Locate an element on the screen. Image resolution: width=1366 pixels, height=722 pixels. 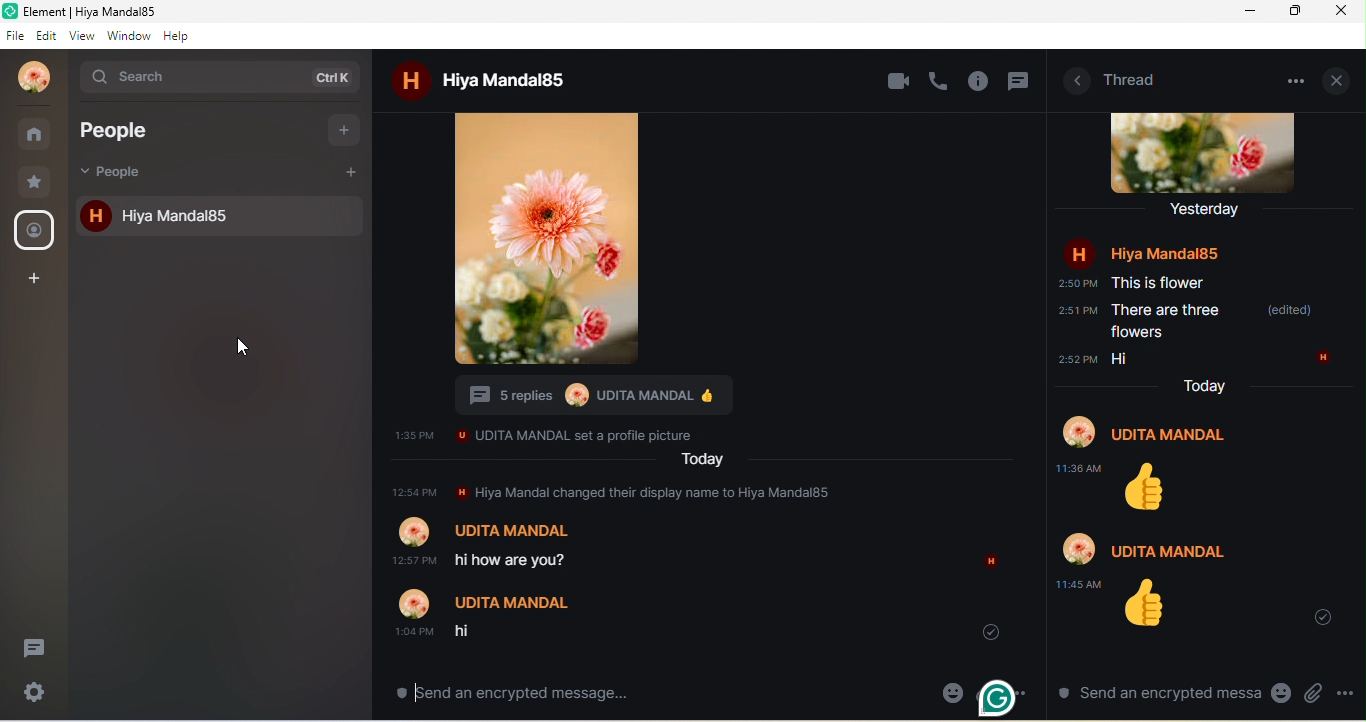
close is located at coordinates (1344, 11).